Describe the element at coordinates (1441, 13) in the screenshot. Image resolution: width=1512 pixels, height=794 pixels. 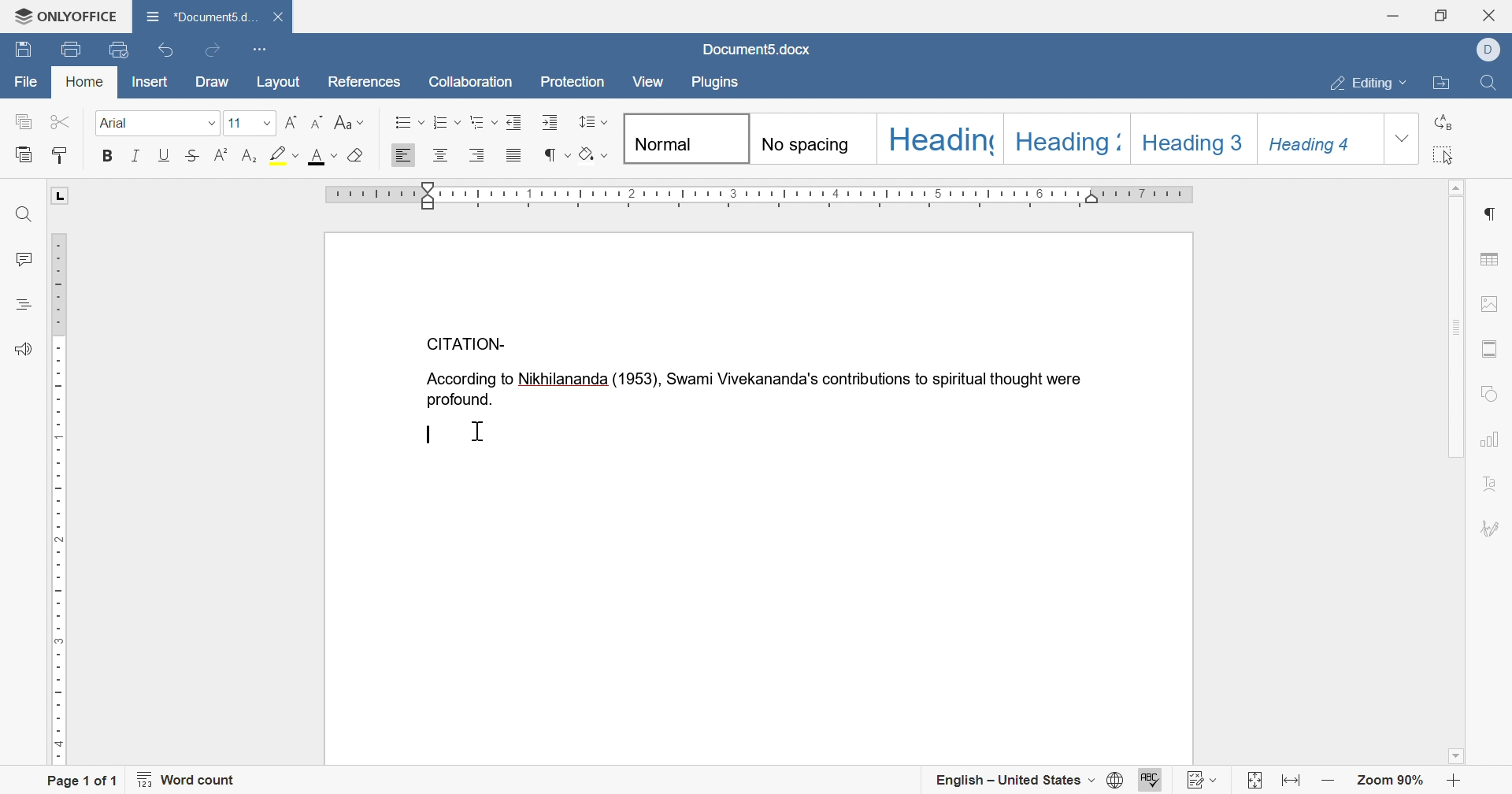
I see `restore down` at that location.